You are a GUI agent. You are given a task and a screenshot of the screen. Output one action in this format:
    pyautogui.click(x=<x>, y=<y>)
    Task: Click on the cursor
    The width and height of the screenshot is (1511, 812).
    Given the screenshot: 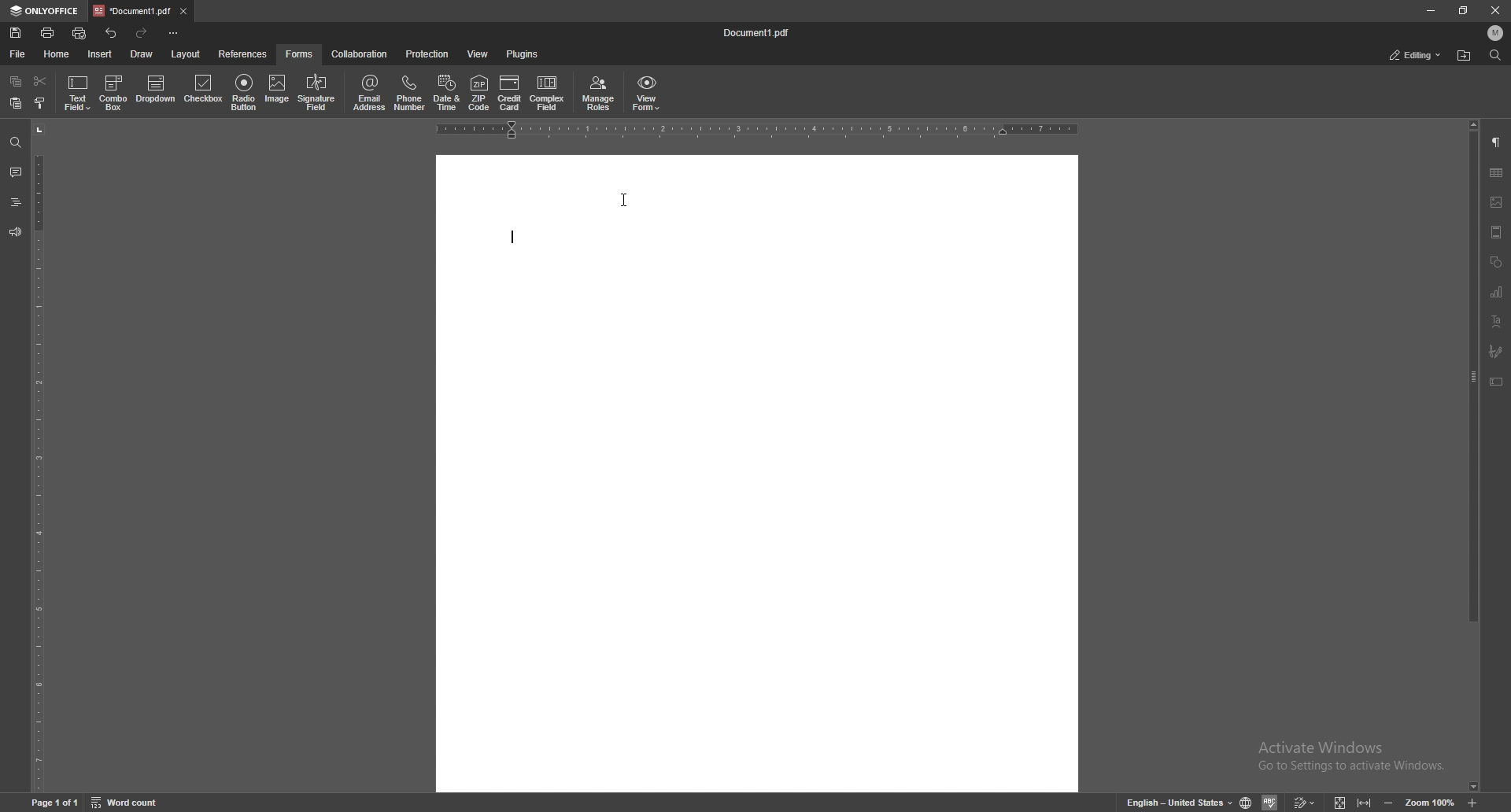 What is the action you would take?
    pyautogui.click(x=622, y=201)
    